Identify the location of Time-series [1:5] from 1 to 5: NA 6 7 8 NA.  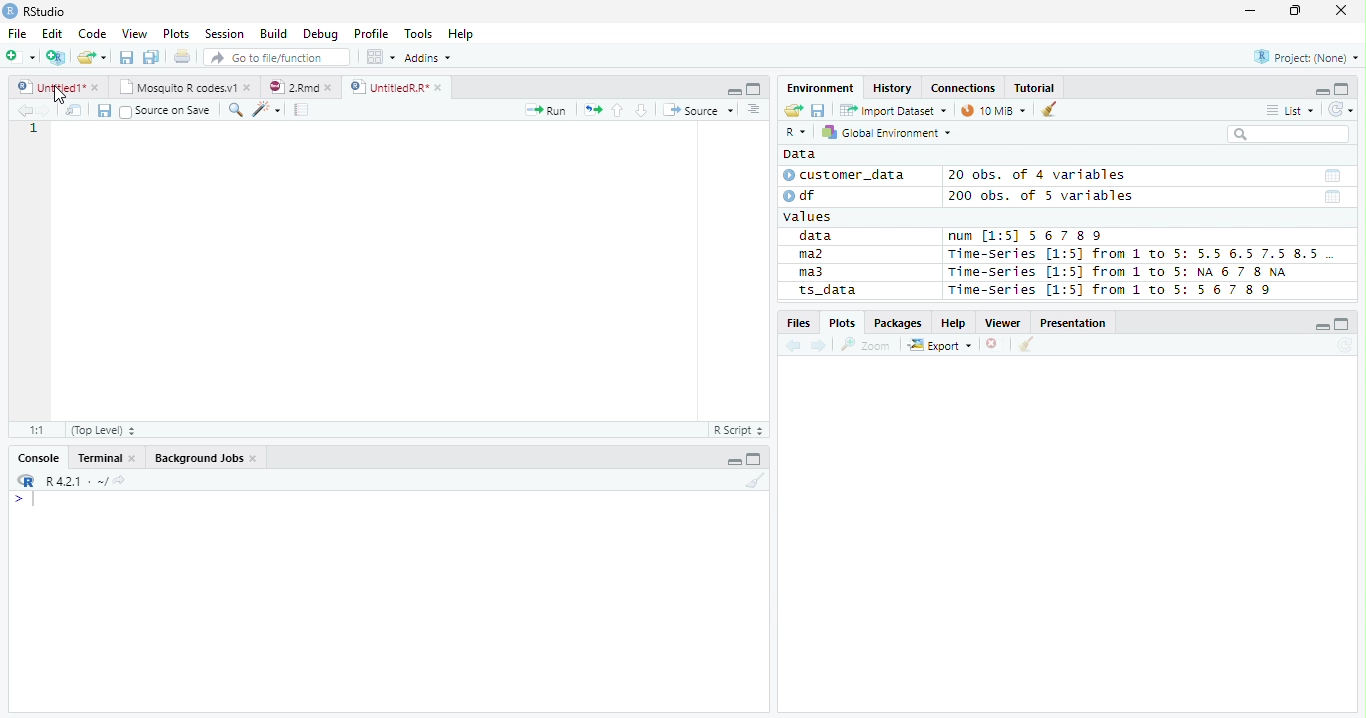
(1126, 273).